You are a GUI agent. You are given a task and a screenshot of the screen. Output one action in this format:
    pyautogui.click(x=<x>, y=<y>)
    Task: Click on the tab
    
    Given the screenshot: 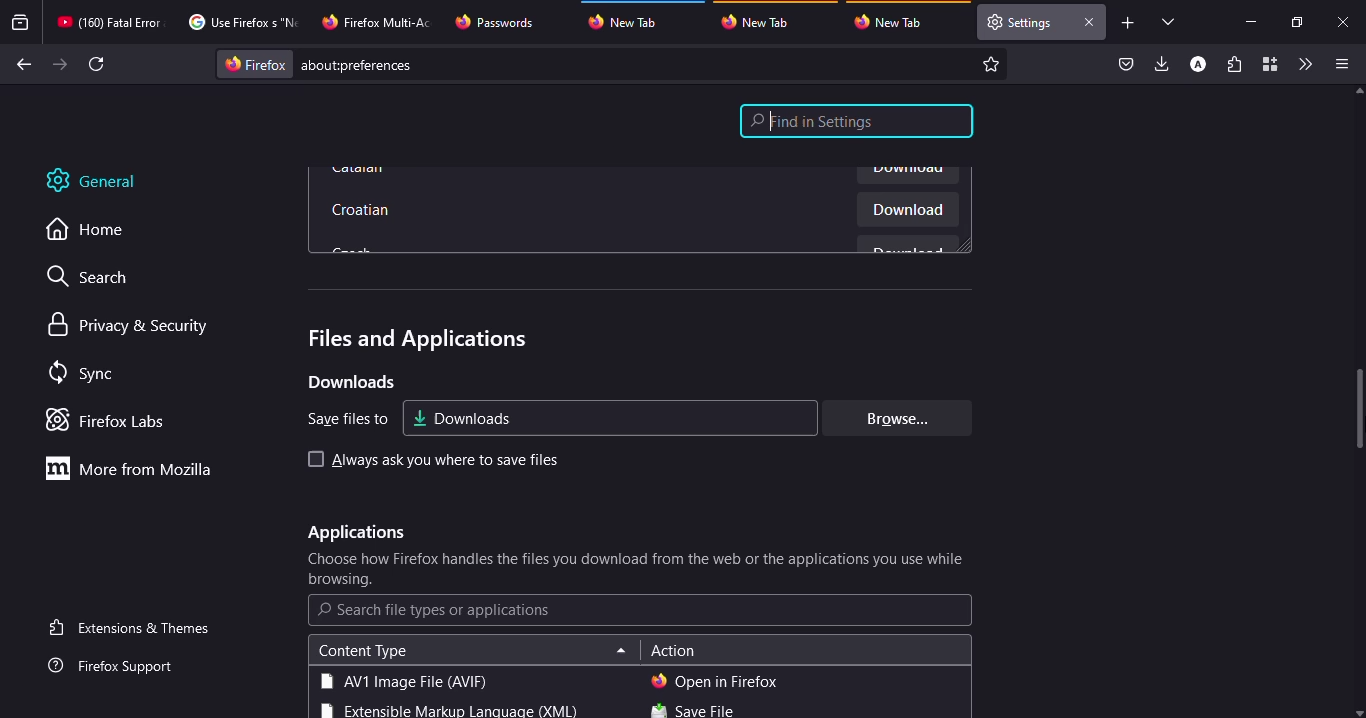 What is the action you would take?
    pyautogui.click(x=379, y=20)
    